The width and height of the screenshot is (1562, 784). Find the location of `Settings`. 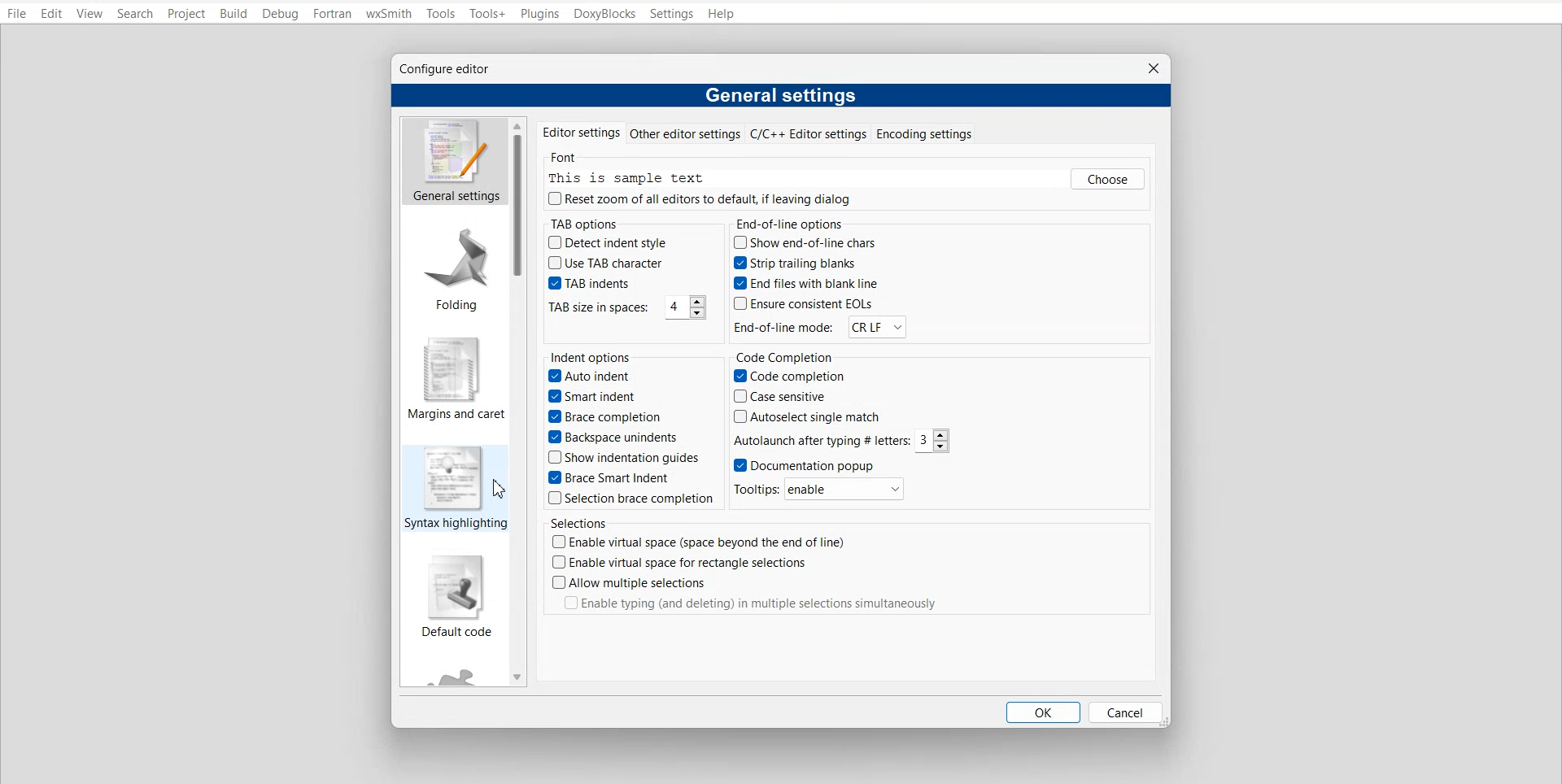

Settings is located at coordinates (672, 14).